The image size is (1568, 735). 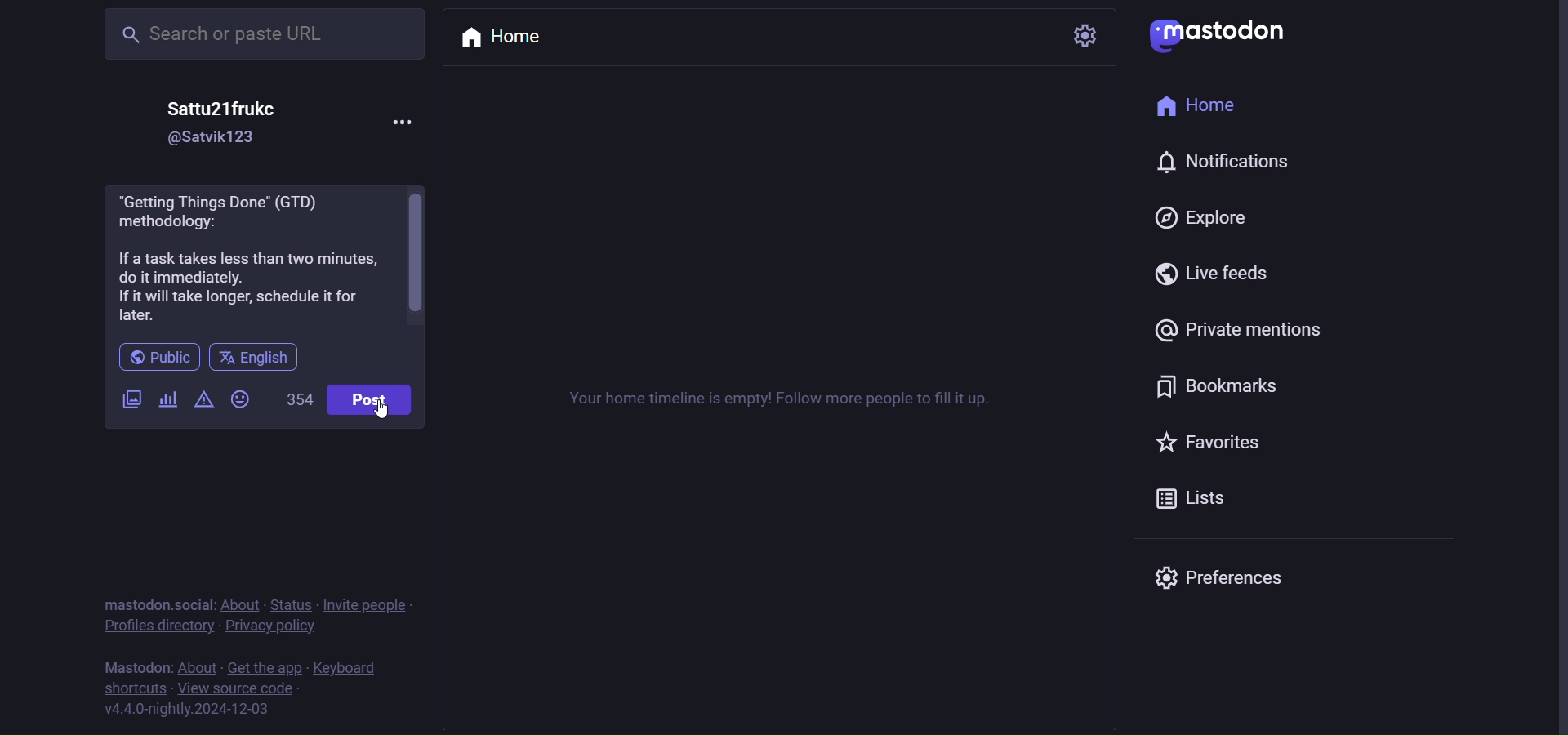 I want to click on word limit, so click(x=298, y=399).